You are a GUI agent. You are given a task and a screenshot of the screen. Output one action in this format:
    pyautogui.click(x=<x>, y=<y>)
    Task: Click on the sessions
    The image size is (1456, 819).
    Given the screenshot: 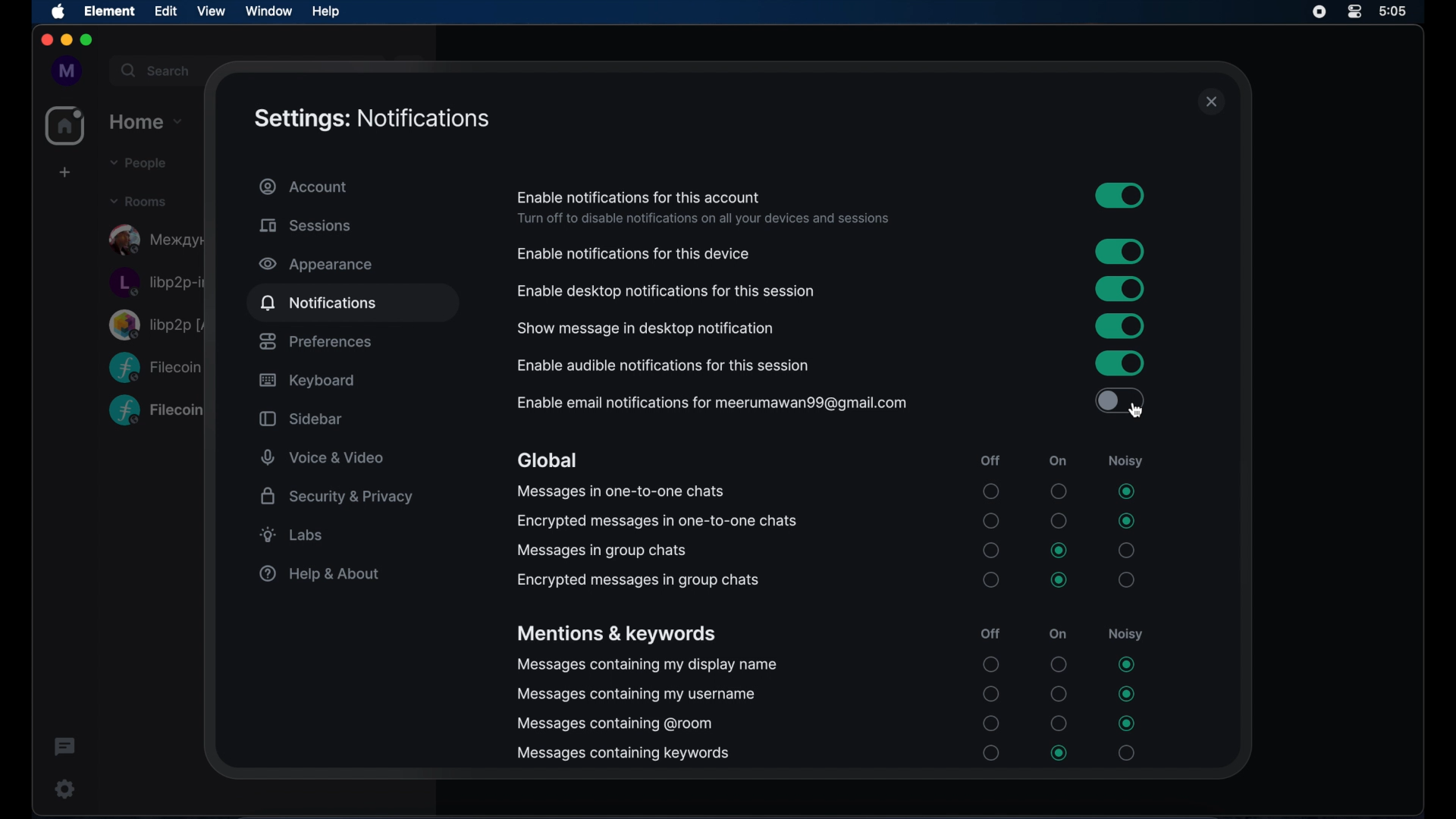 What is the action you would take?
    pyautogui.click(x=305, y=225)
    